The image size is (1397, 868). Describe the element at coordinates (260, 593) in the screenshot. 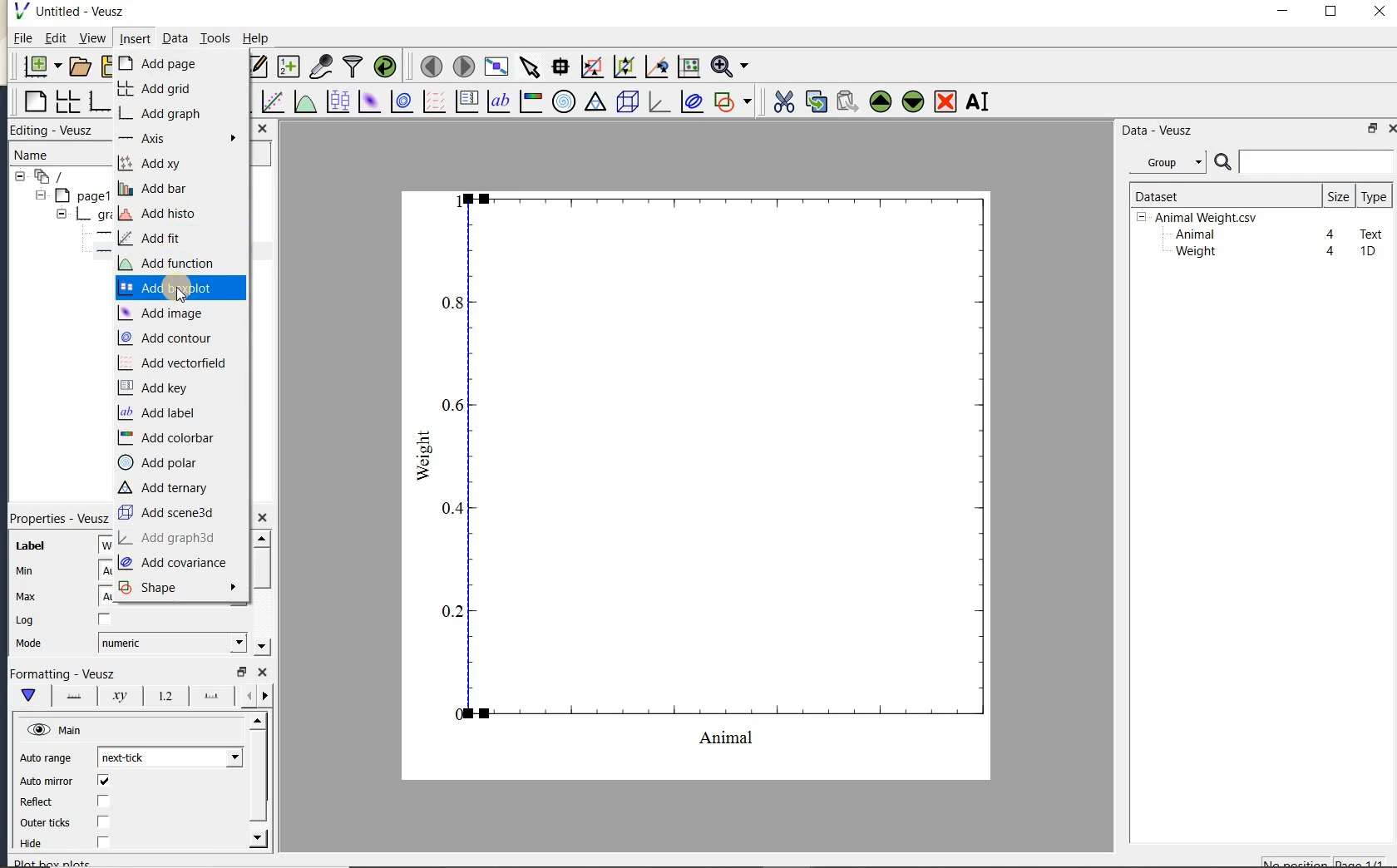

I see `scrollbar` at that location.